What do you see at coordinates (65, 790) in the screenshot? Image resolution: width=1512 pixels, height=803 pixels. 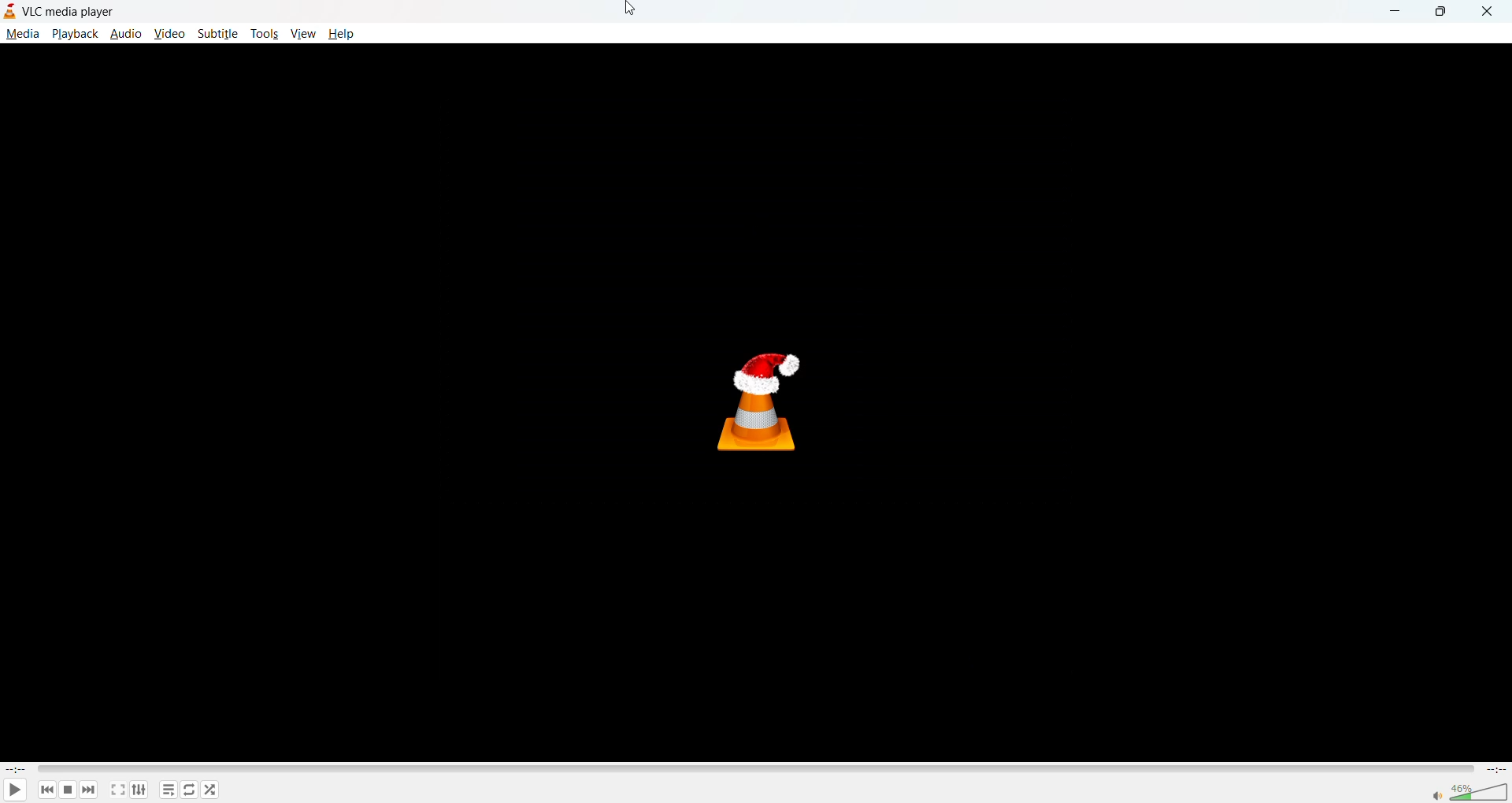 I see `stop` at bounding box center [65, 790].